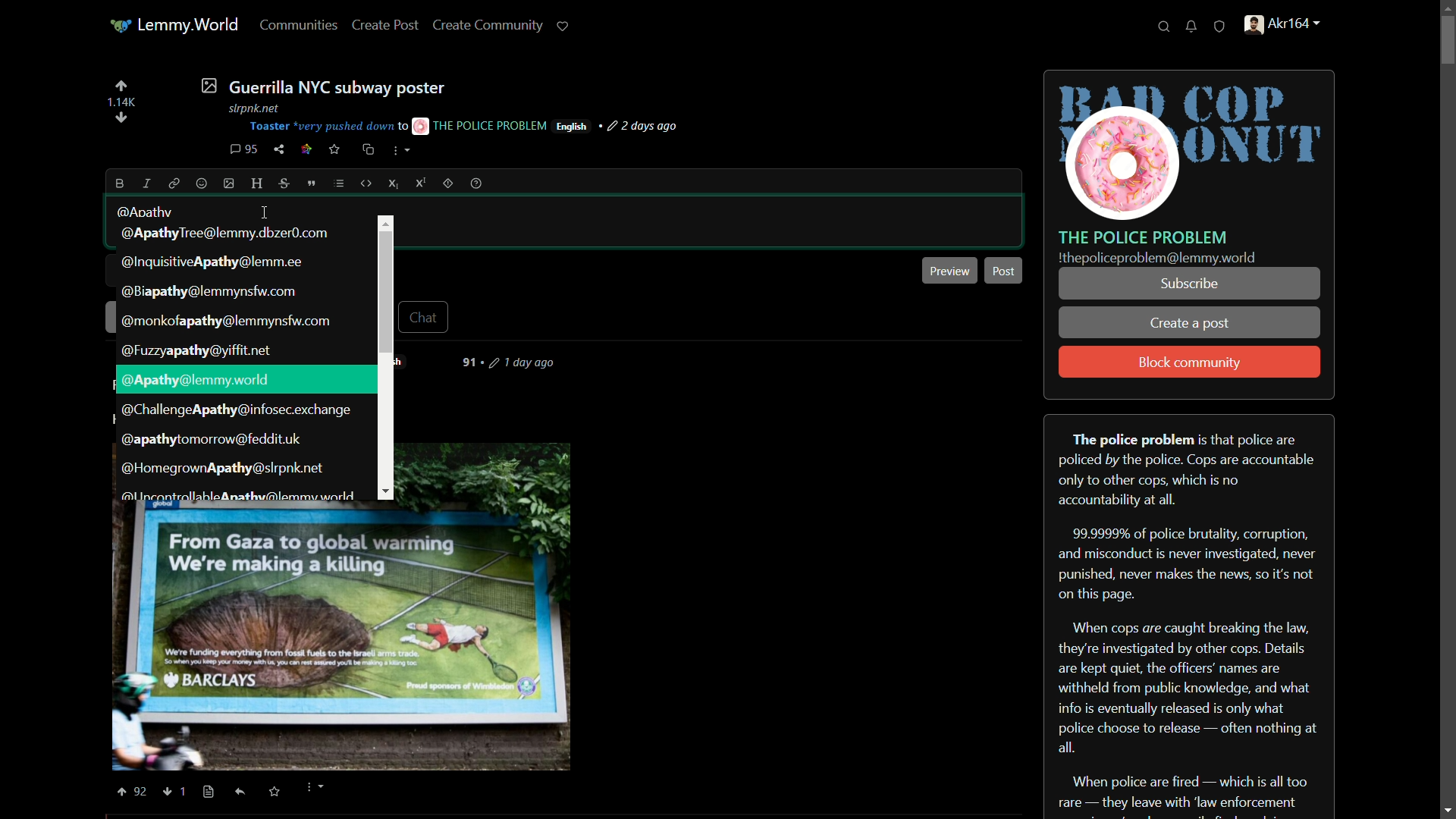  I want to click on , so click(241, 792).